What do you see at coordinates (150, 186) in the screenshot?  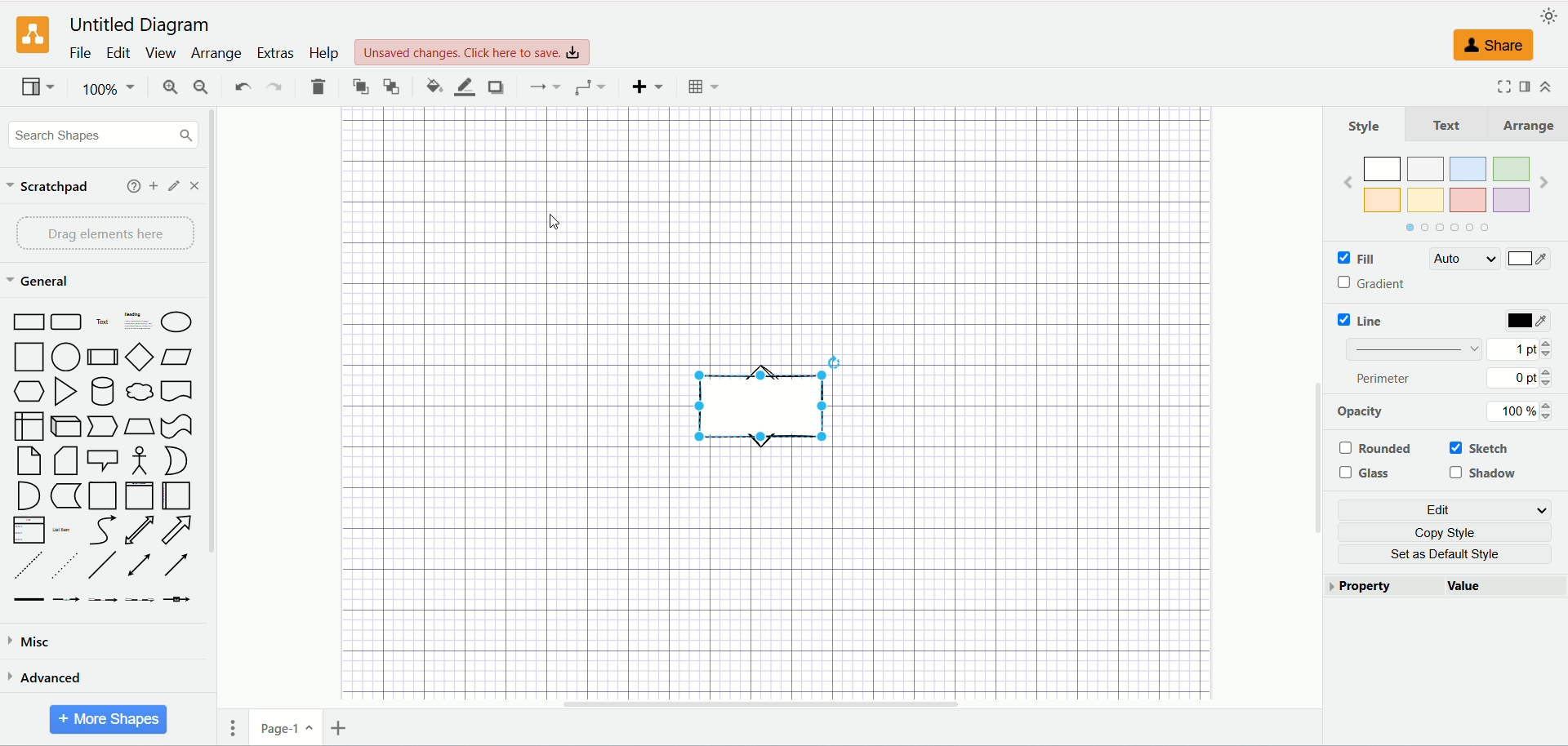 I see `add` at bounding box center [150, 186].